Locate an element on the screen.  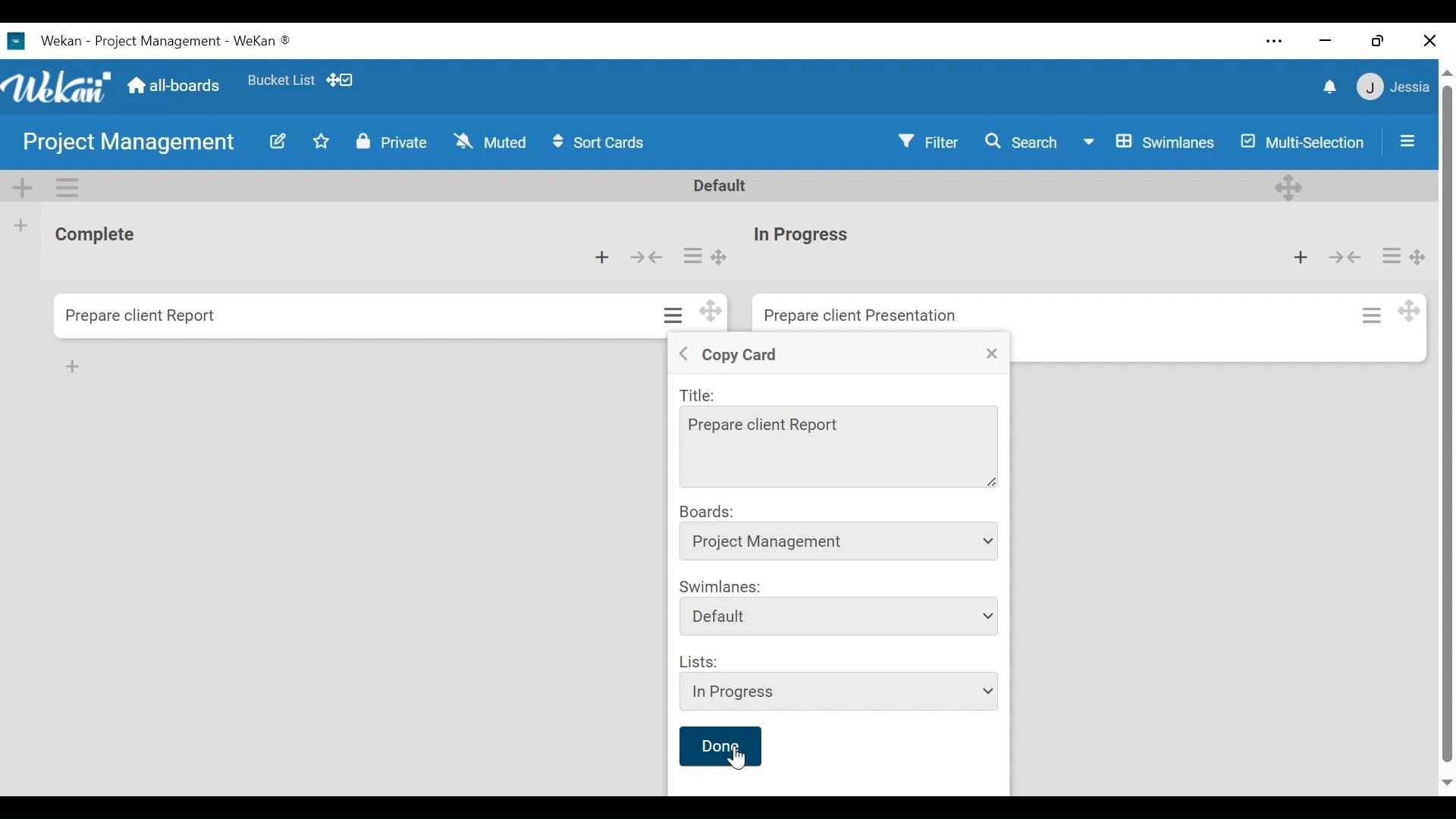
Swimlanes is located at coordinates (720, 586).